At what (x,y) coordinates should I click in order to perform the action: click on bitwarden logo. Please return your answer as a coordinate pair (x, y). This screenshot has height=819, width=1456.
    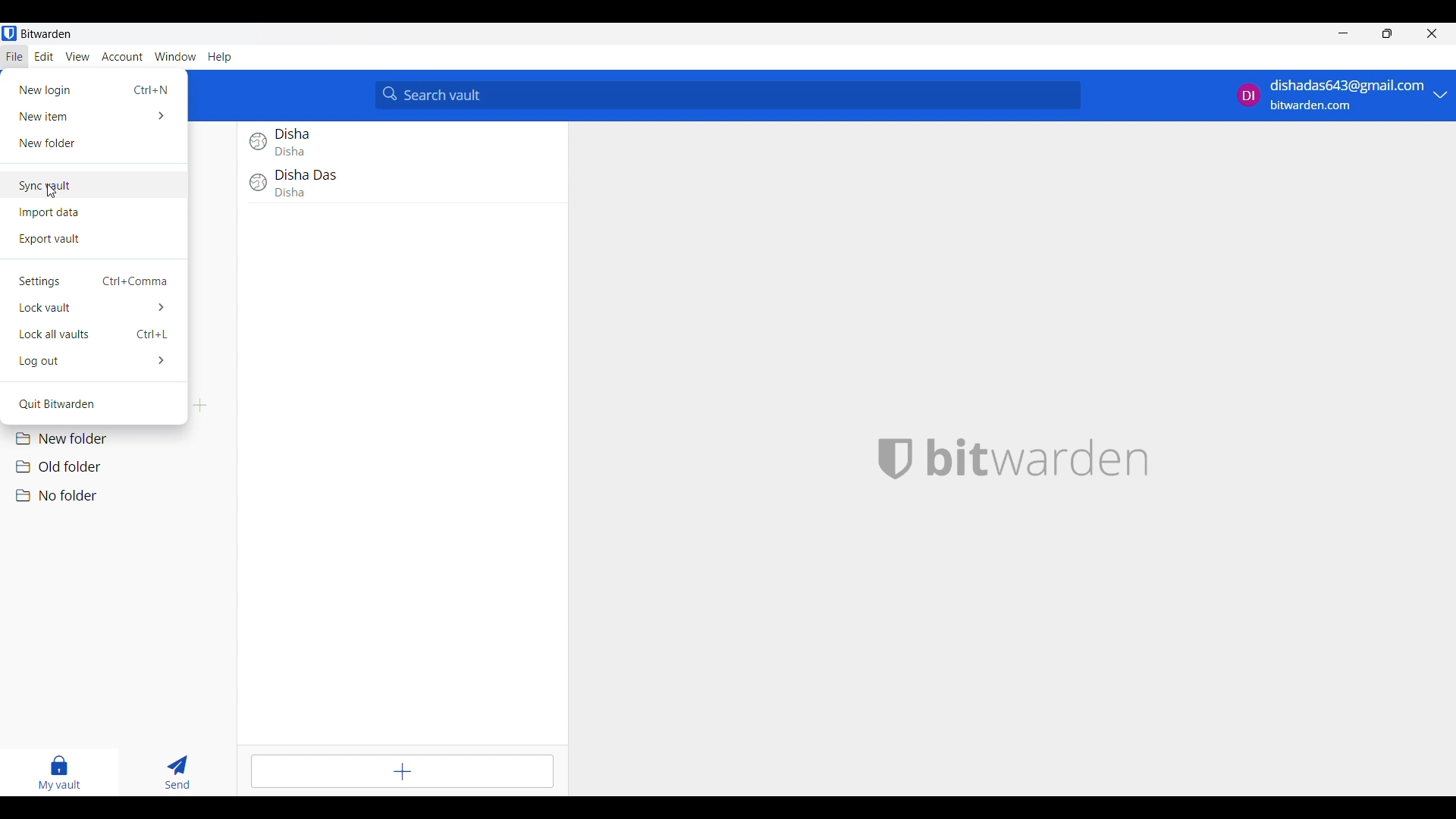
    Looking at the image, I should click on (897, 457).